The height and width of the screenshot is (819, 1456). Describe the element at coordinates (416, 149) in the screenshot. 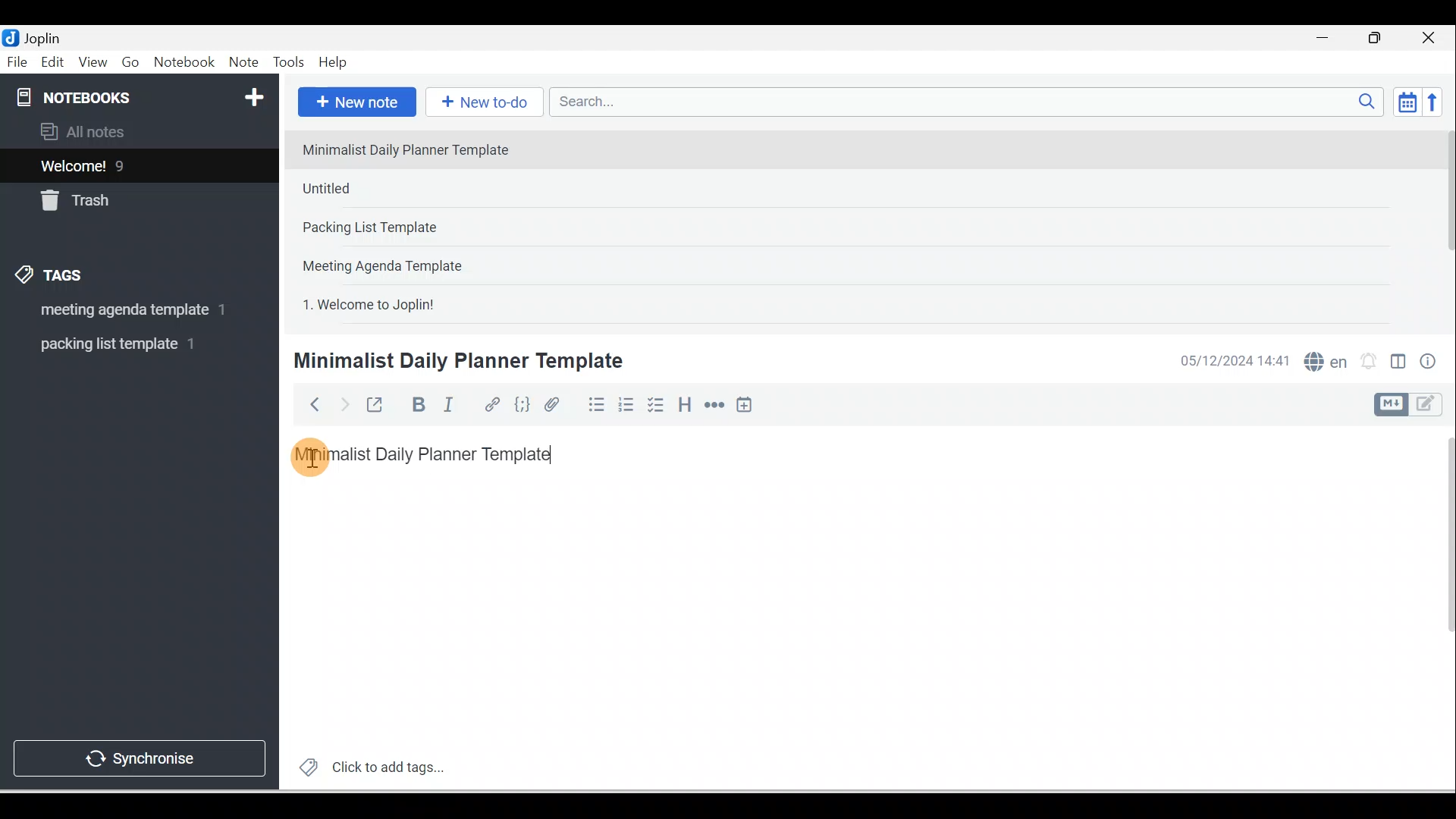

I see `Note 1` at that location.